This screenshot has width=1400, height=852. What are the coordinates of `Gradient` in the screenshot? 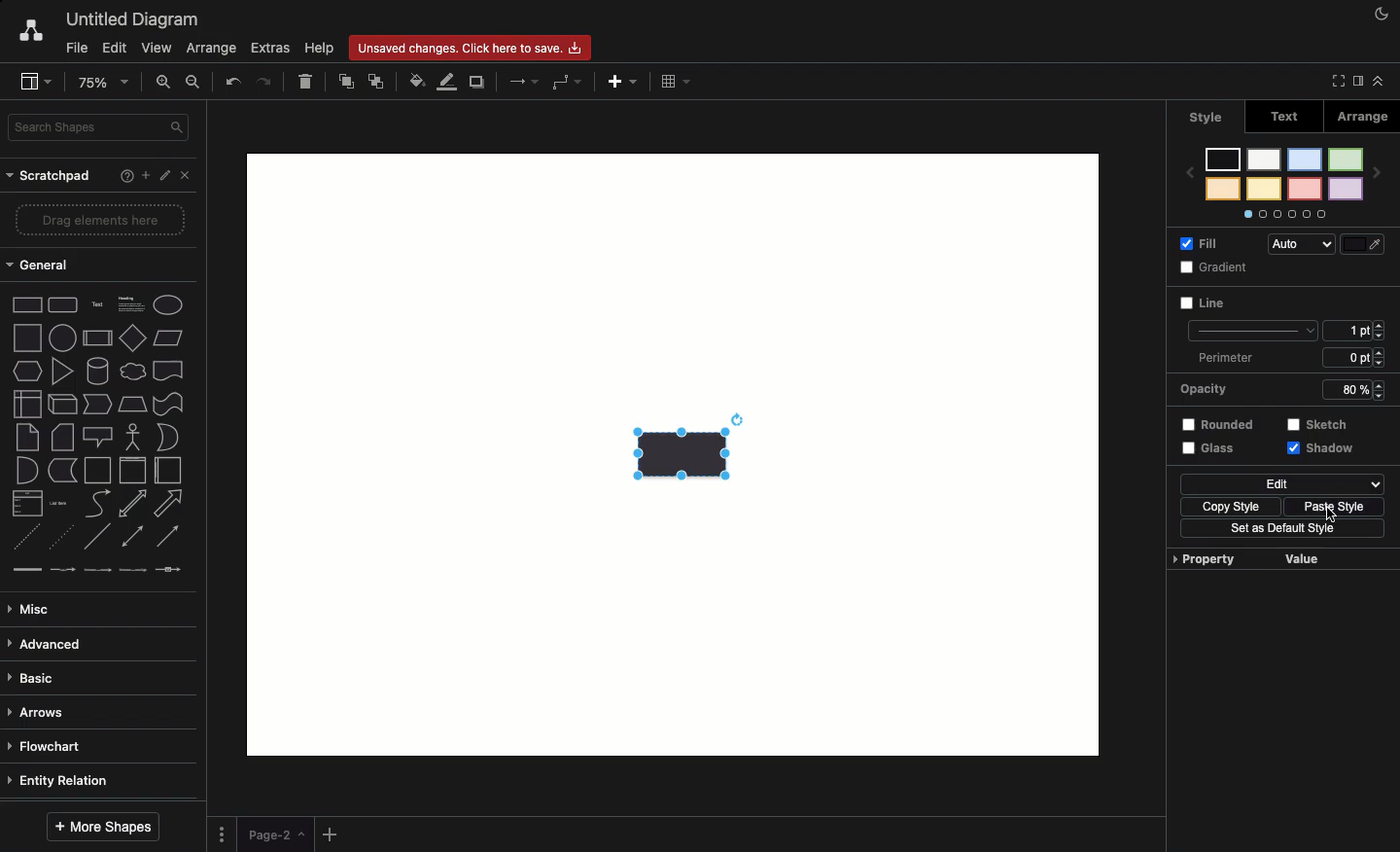 It's located at (1210, 269).